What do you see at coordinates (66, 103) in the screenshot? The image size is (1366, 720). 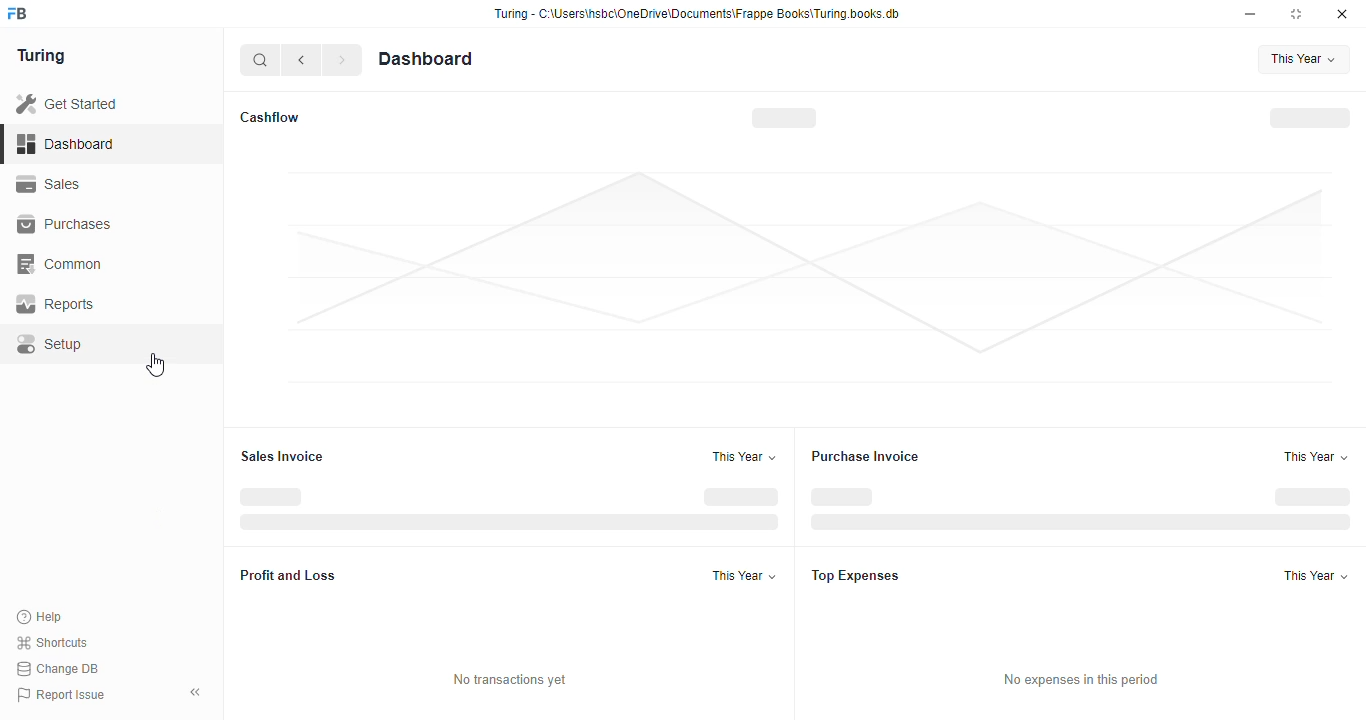 I see `get started` at bounding box center [66, 103].